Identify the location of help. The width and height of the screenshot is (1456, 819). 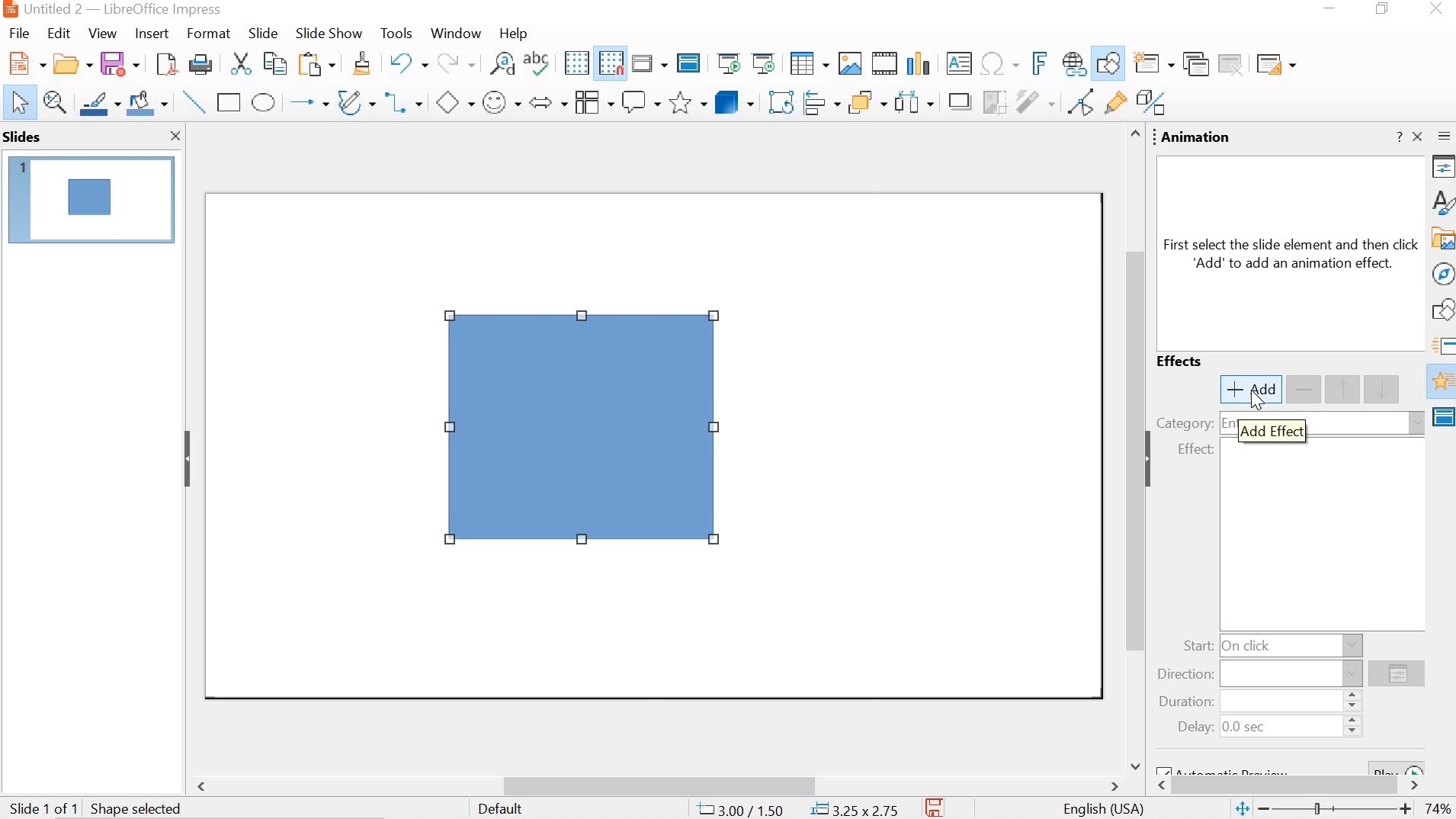
(511, 34).